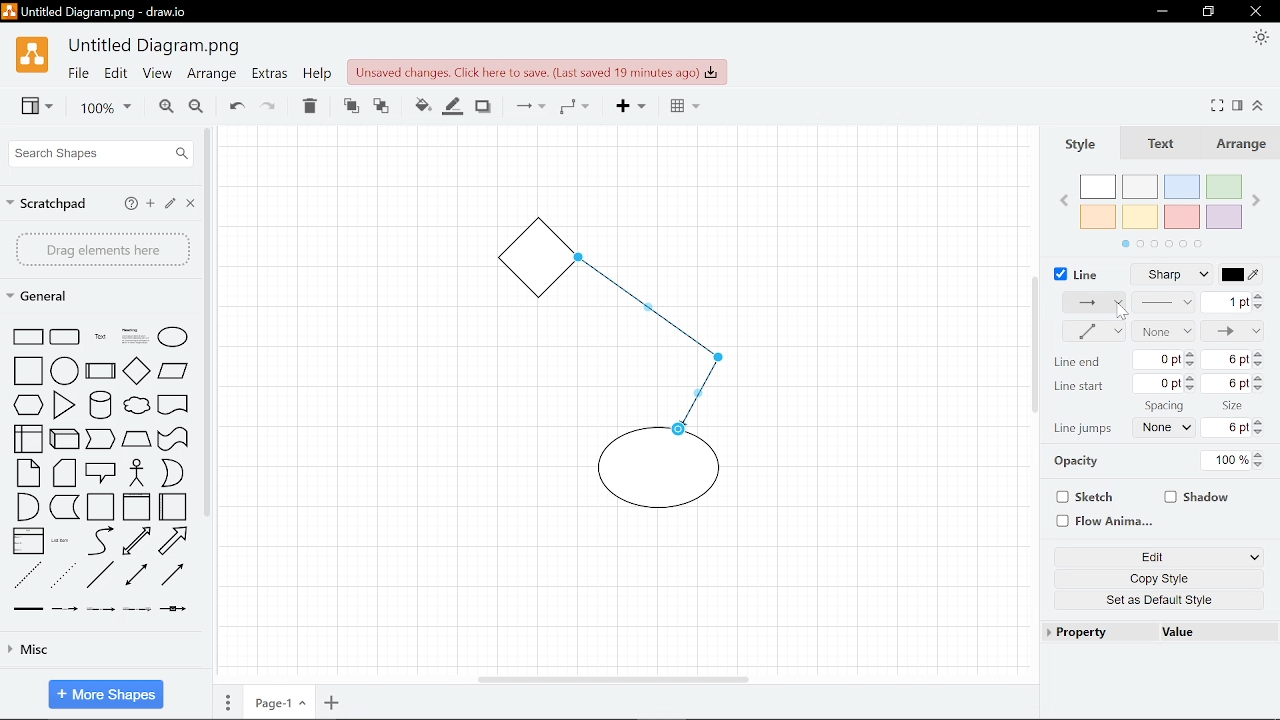  I want to click on Shape, so click(25, 336).